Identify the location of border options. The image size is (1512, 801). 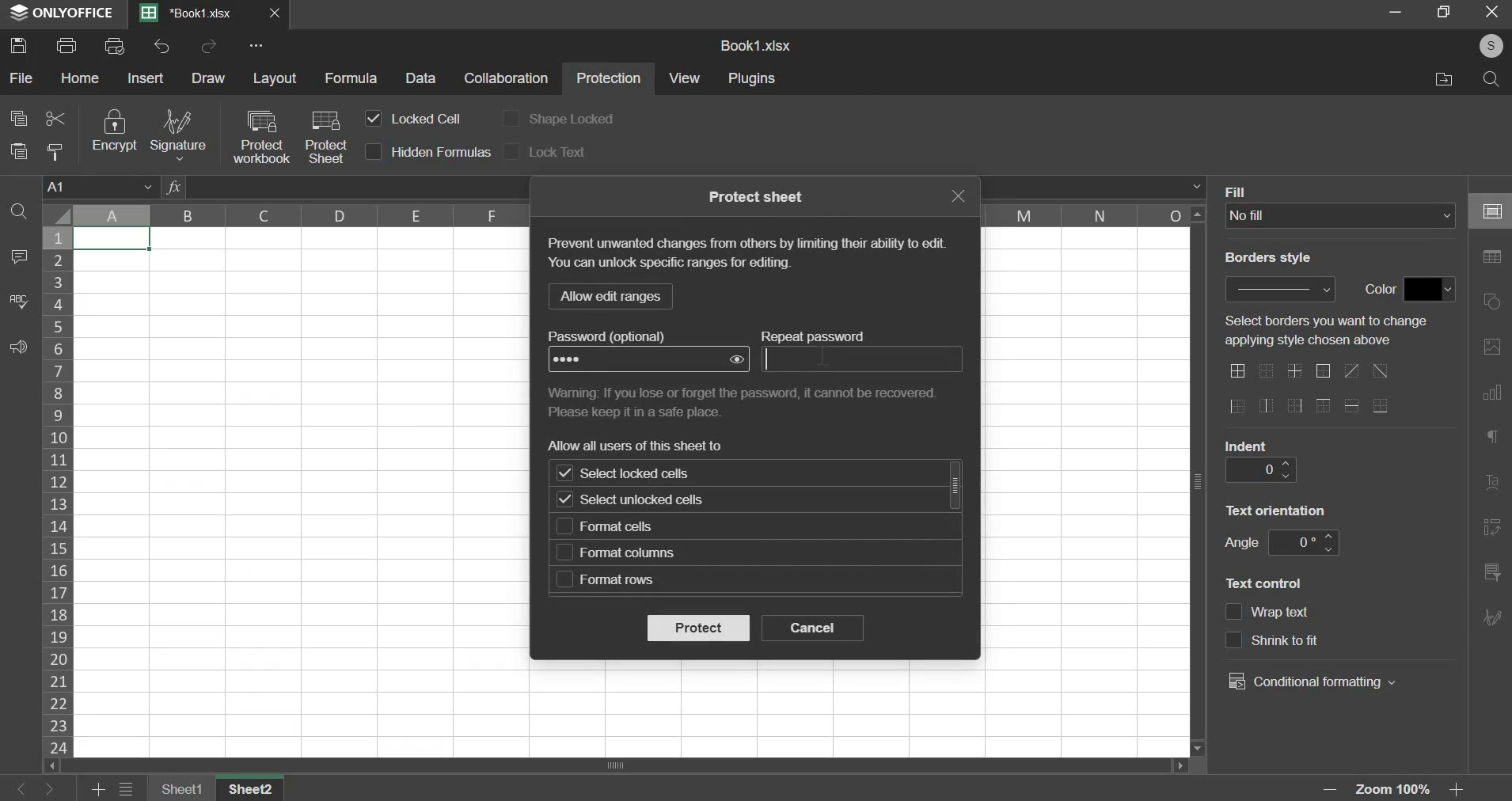
(1266, 406).